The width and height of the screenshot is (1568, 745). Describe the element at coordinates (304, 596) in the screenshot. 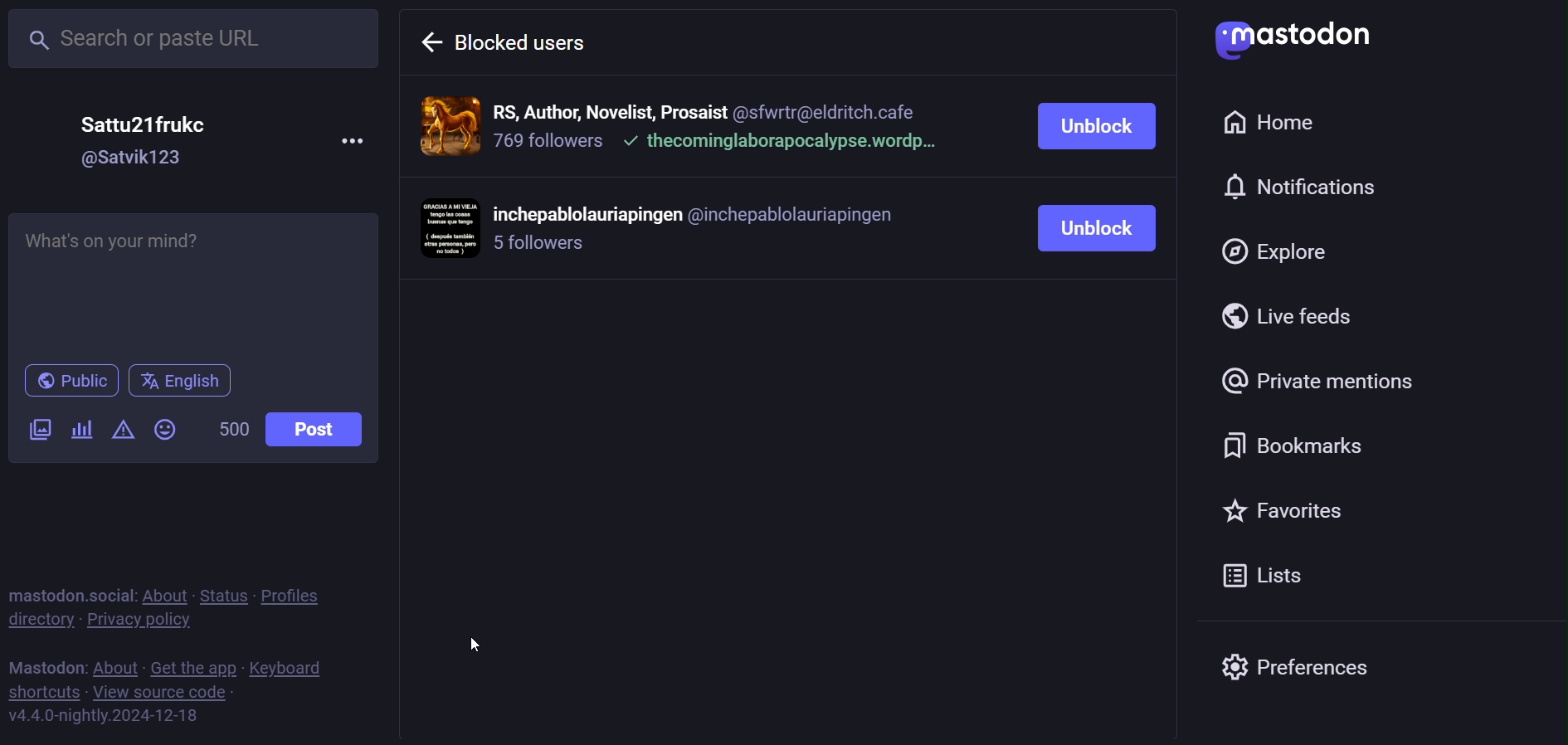

I see `profiles` at that location.